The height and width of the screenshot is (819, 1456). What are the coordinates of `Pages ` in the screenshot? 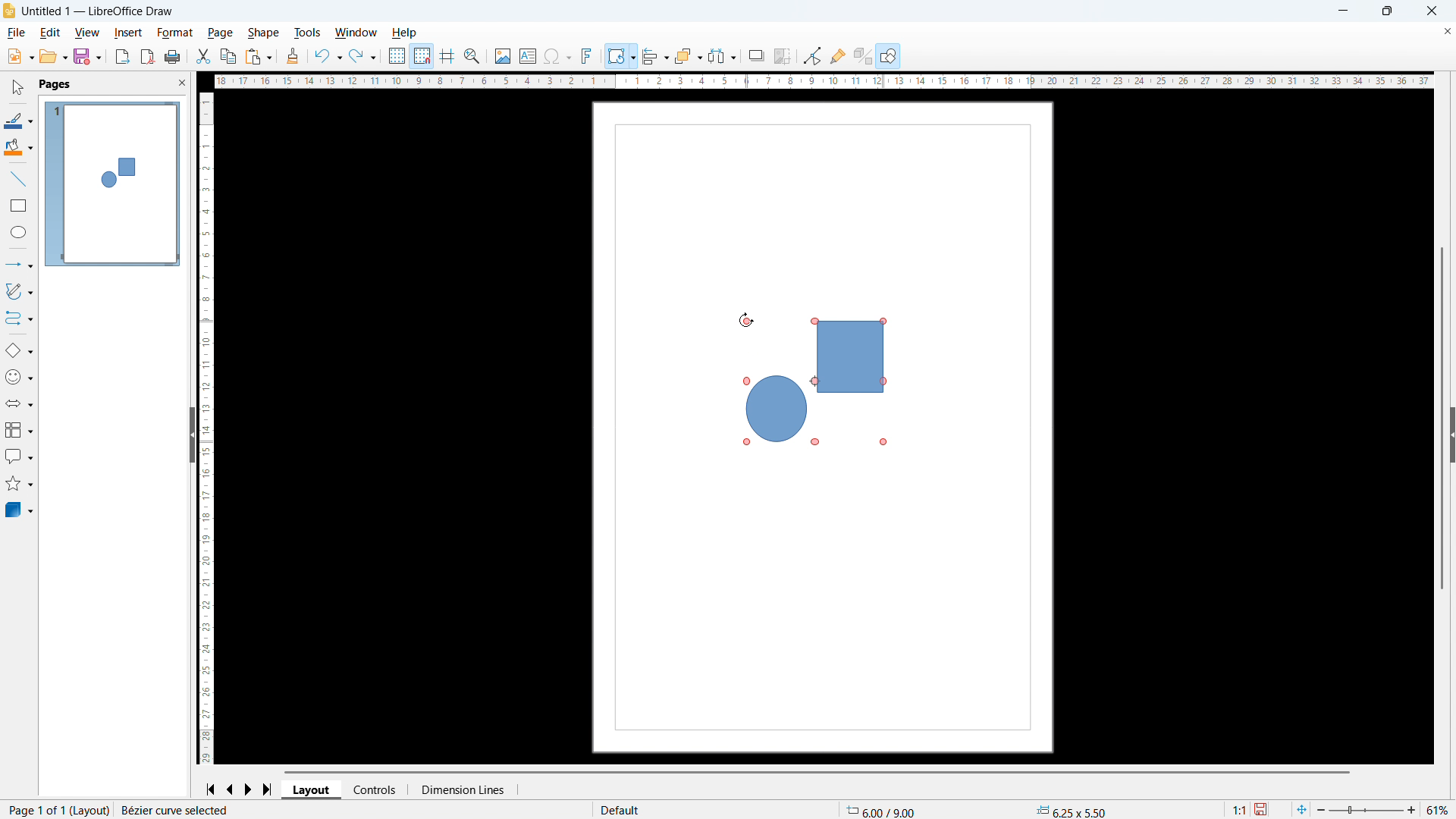 It's located at (56, 85).